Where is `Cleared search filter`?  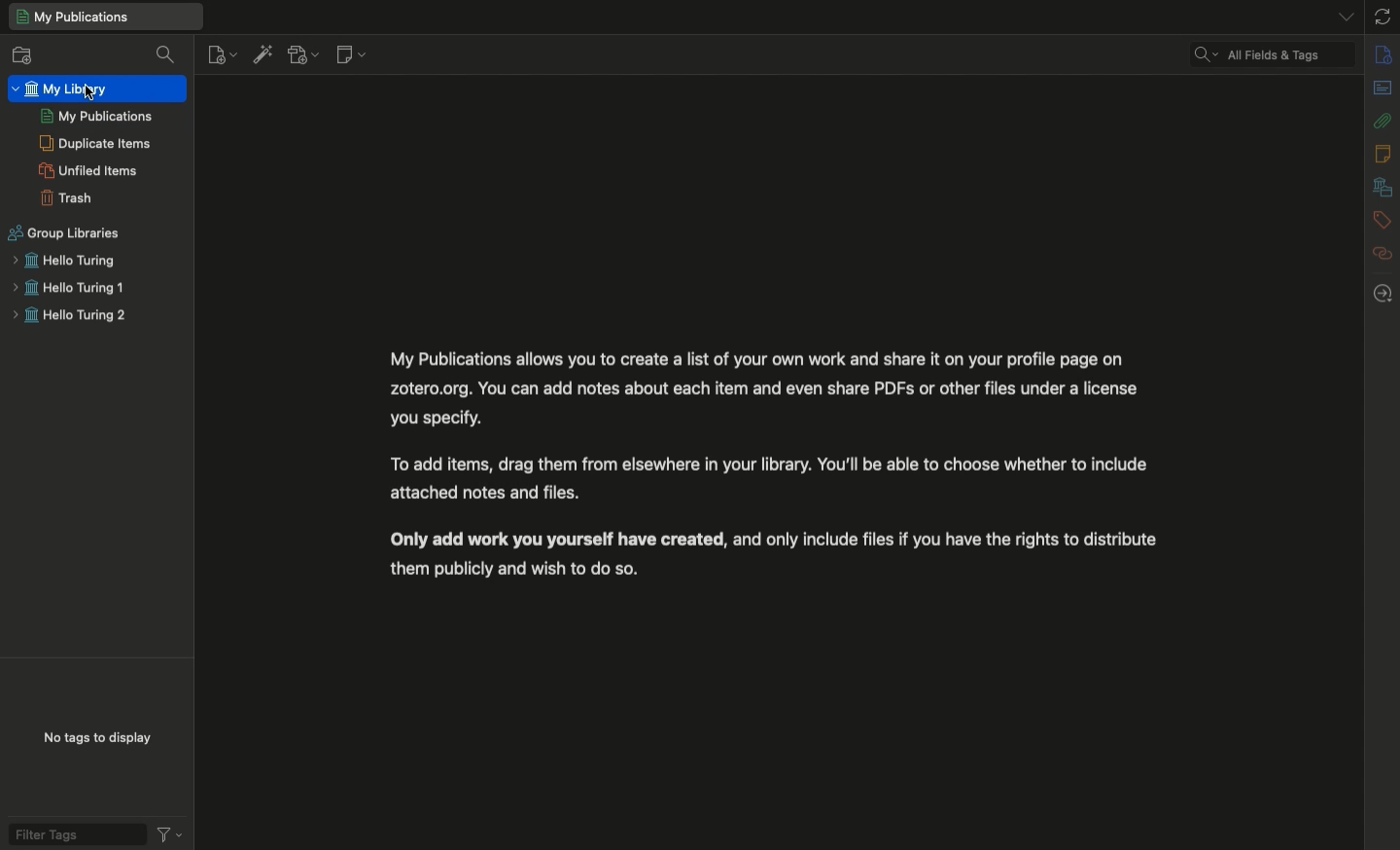
Cleared search filter is located at coordinates (1271, 55).